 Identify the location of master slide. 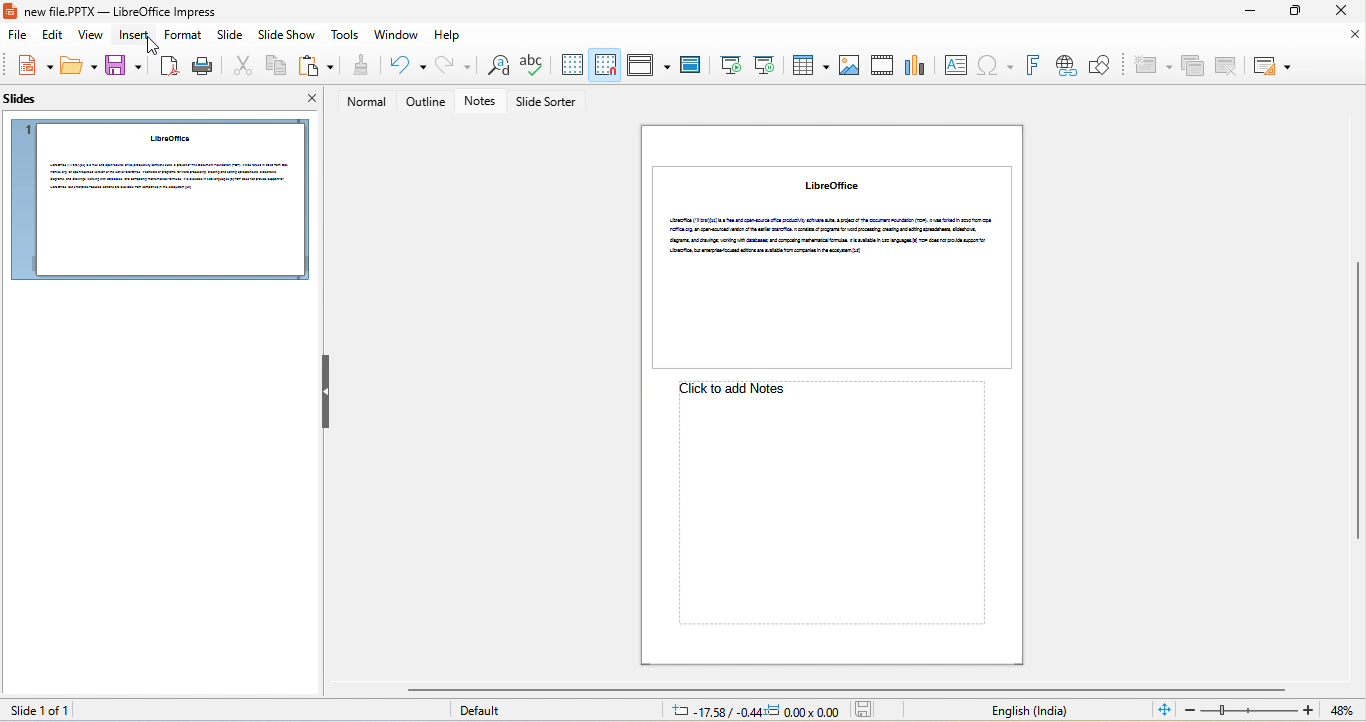
(690, 66).